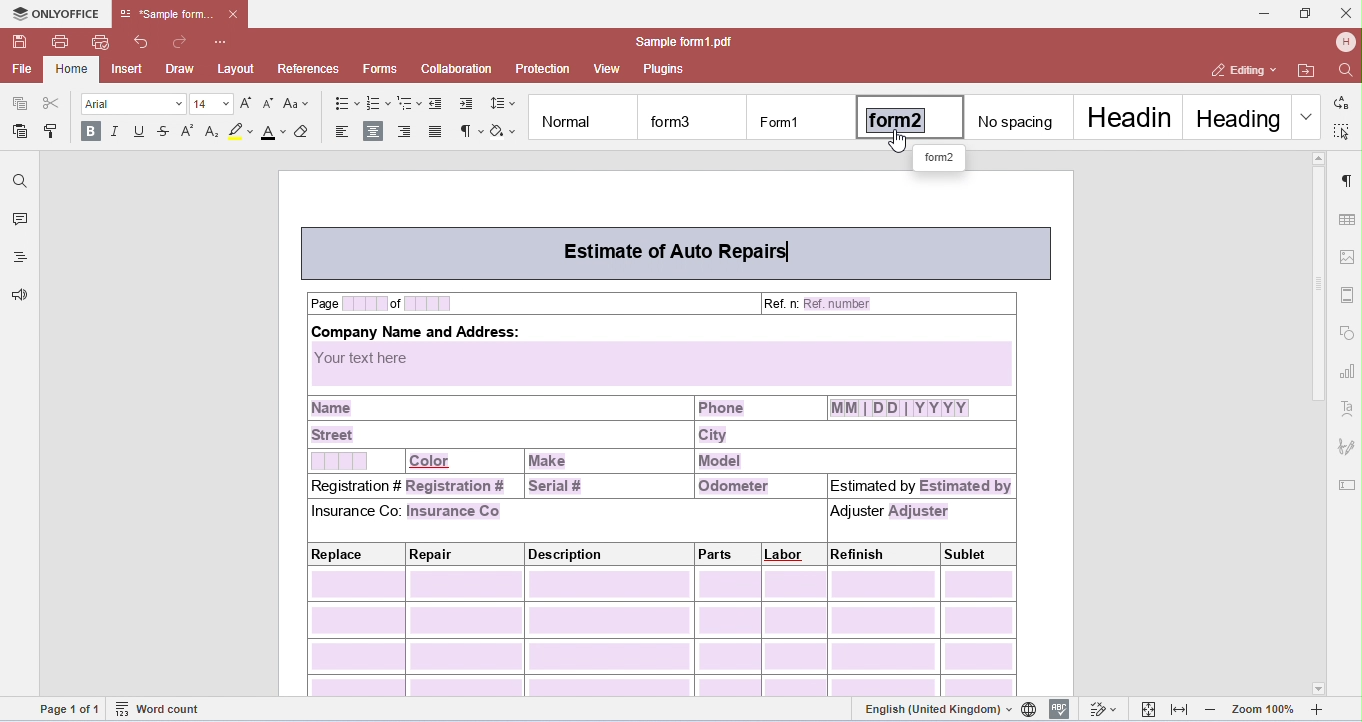 The width and height of the screenshot is (1362, 722). I want to click on font color, so click(274, 133).